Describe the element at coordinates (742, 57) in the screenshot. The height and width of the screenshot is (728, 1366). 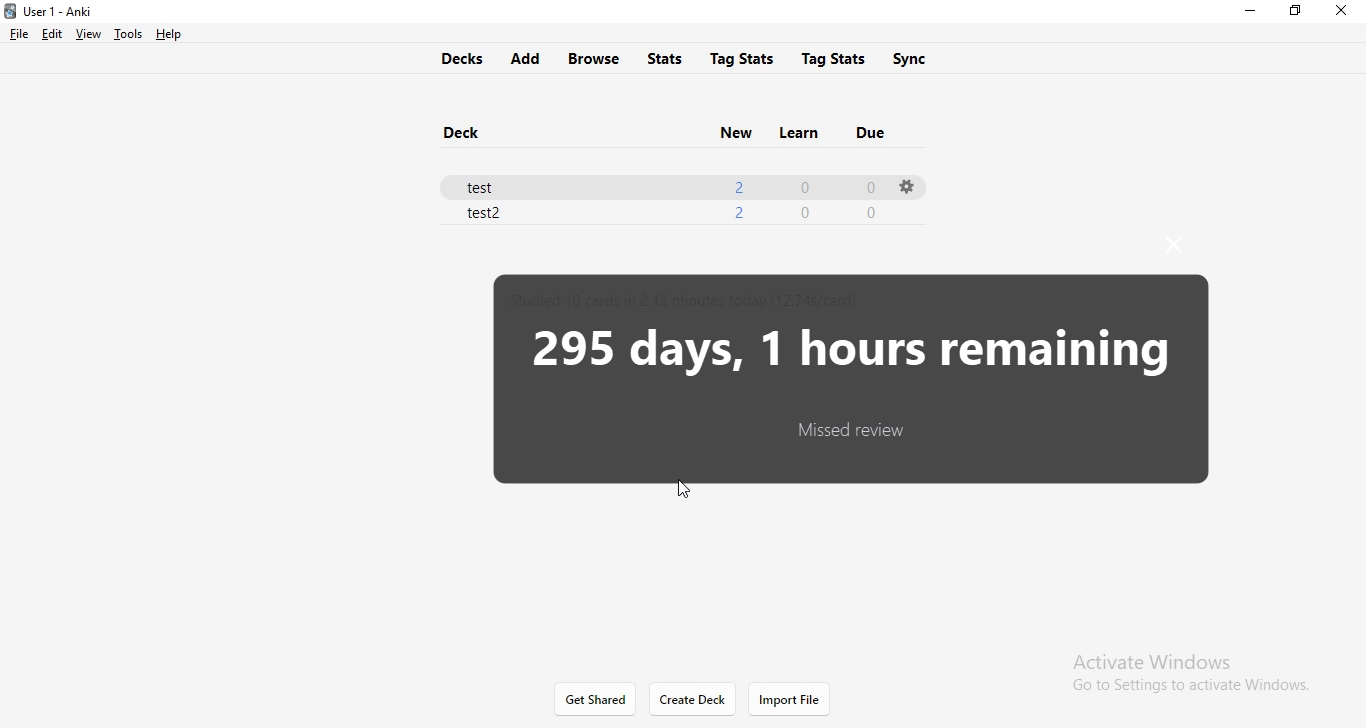
I see `tag stats` at that location.